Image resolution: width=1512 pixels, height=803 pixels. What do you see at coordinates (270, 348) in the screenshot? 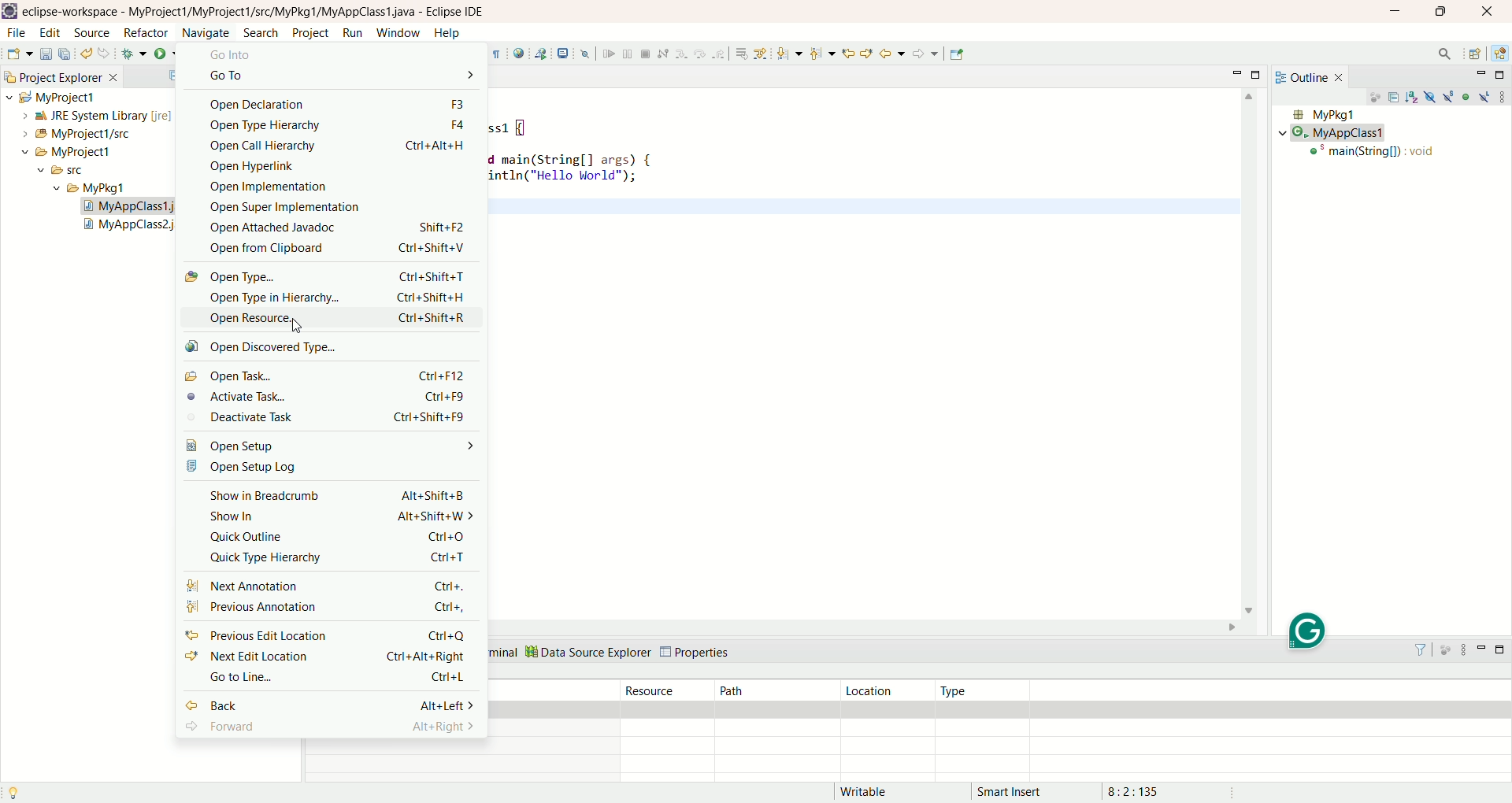
I see `open discovered type` at bounding box center [270, 348].